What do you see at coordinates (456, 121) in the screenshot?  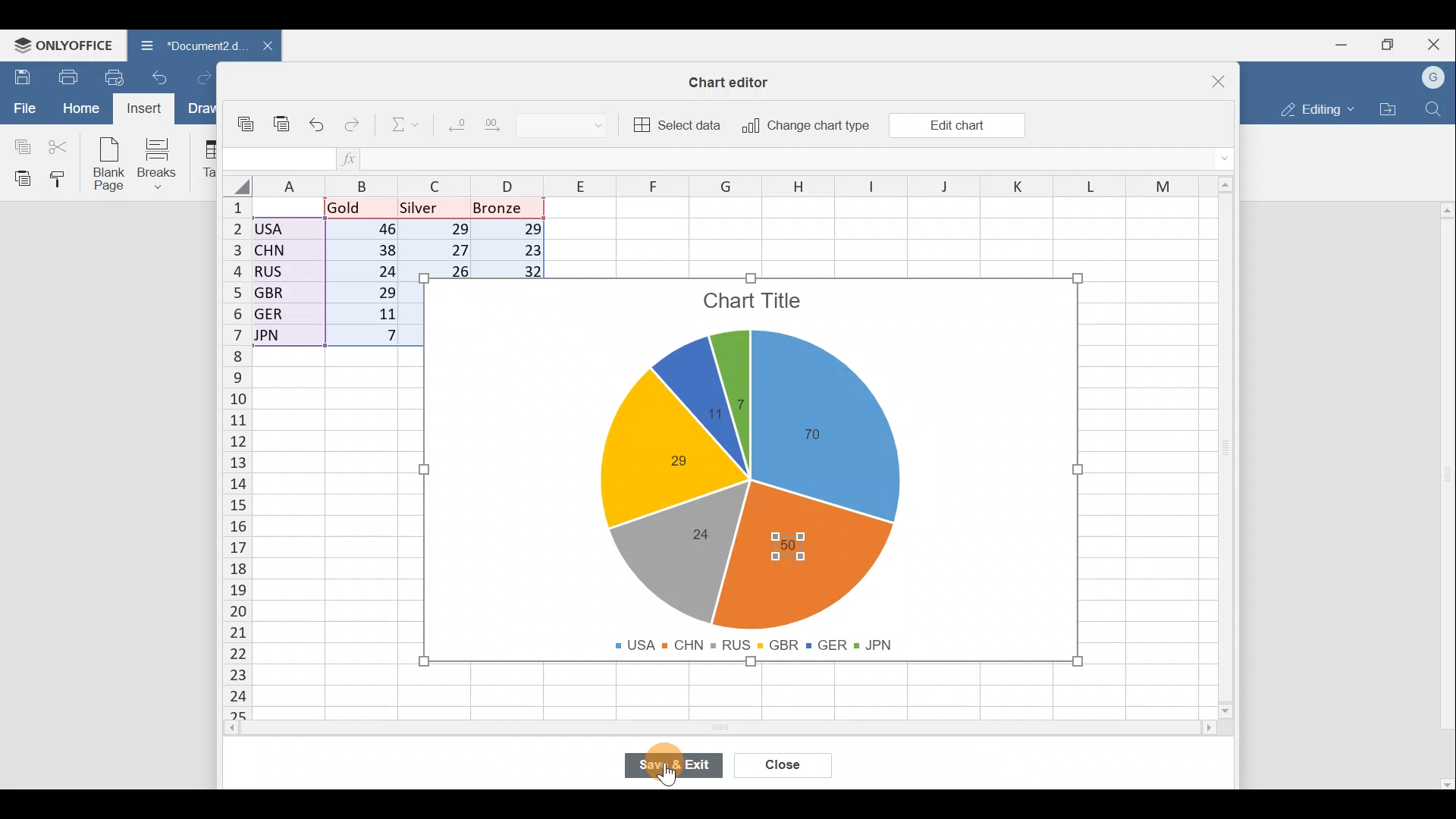 I see `Decrease decimal` at bounding box center [456, 121].